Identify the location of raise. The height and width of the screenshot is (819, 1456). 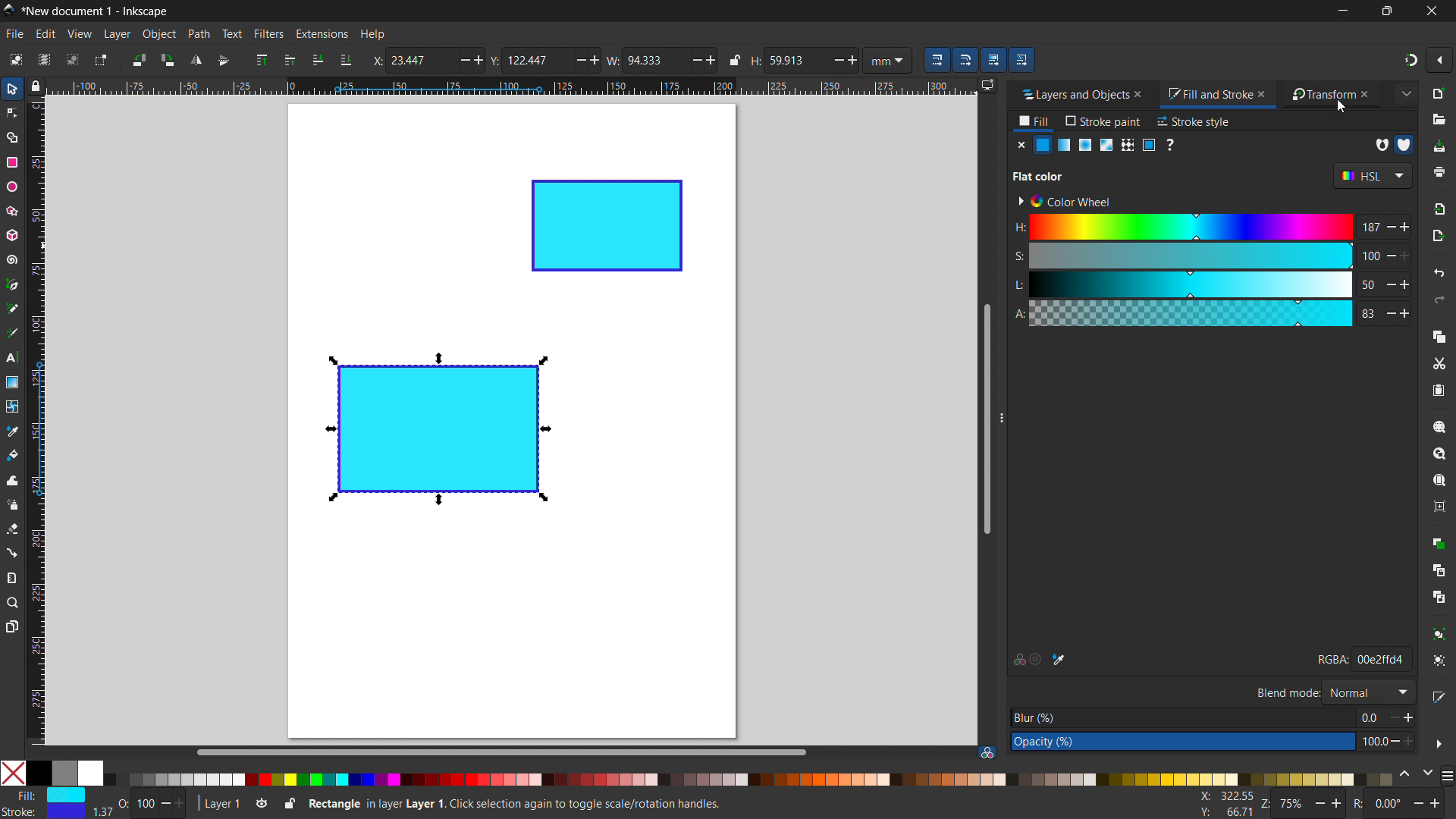
(290, 60).